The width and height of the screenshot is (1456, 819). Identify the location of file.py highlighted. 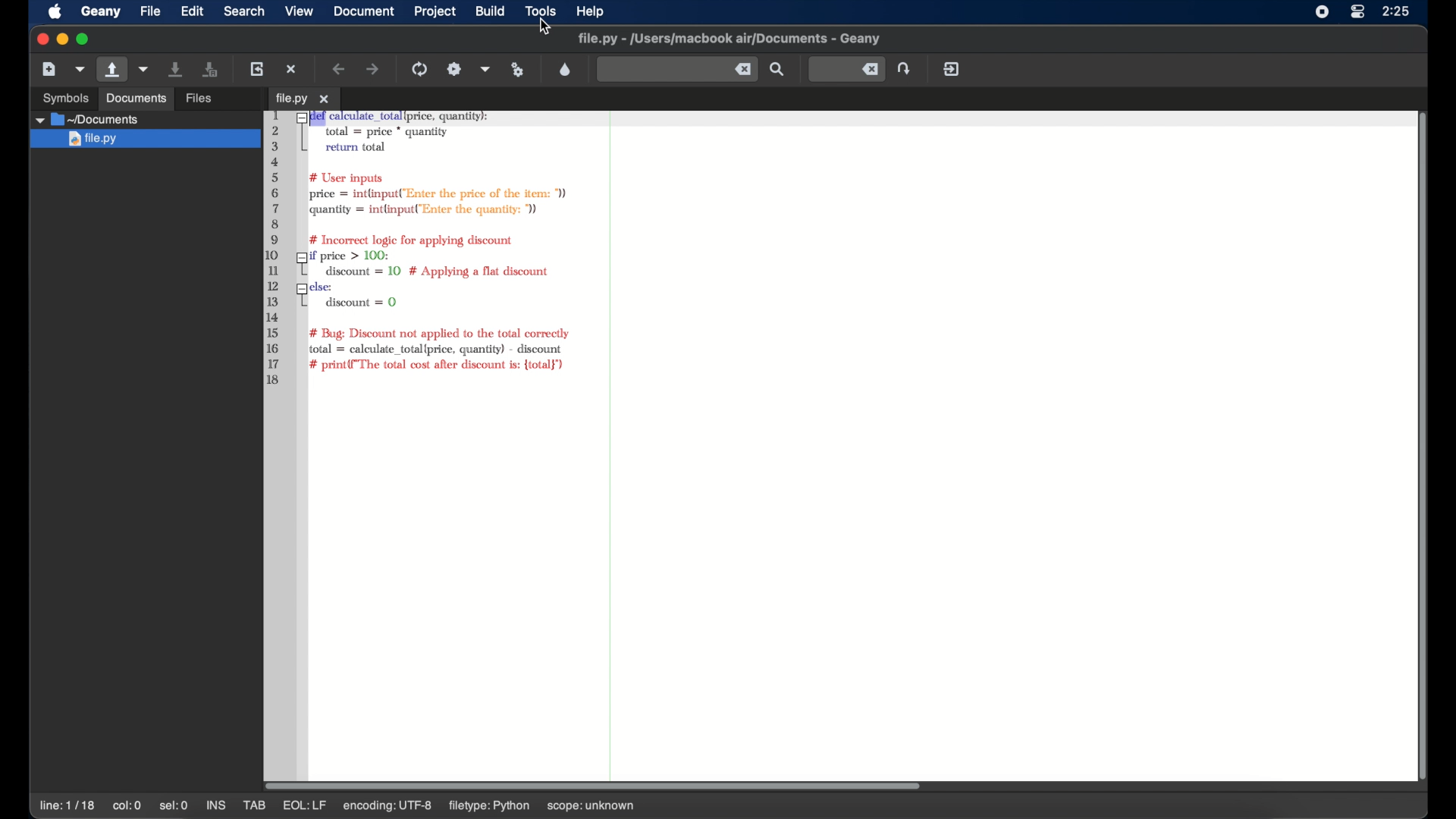
(143, 140).